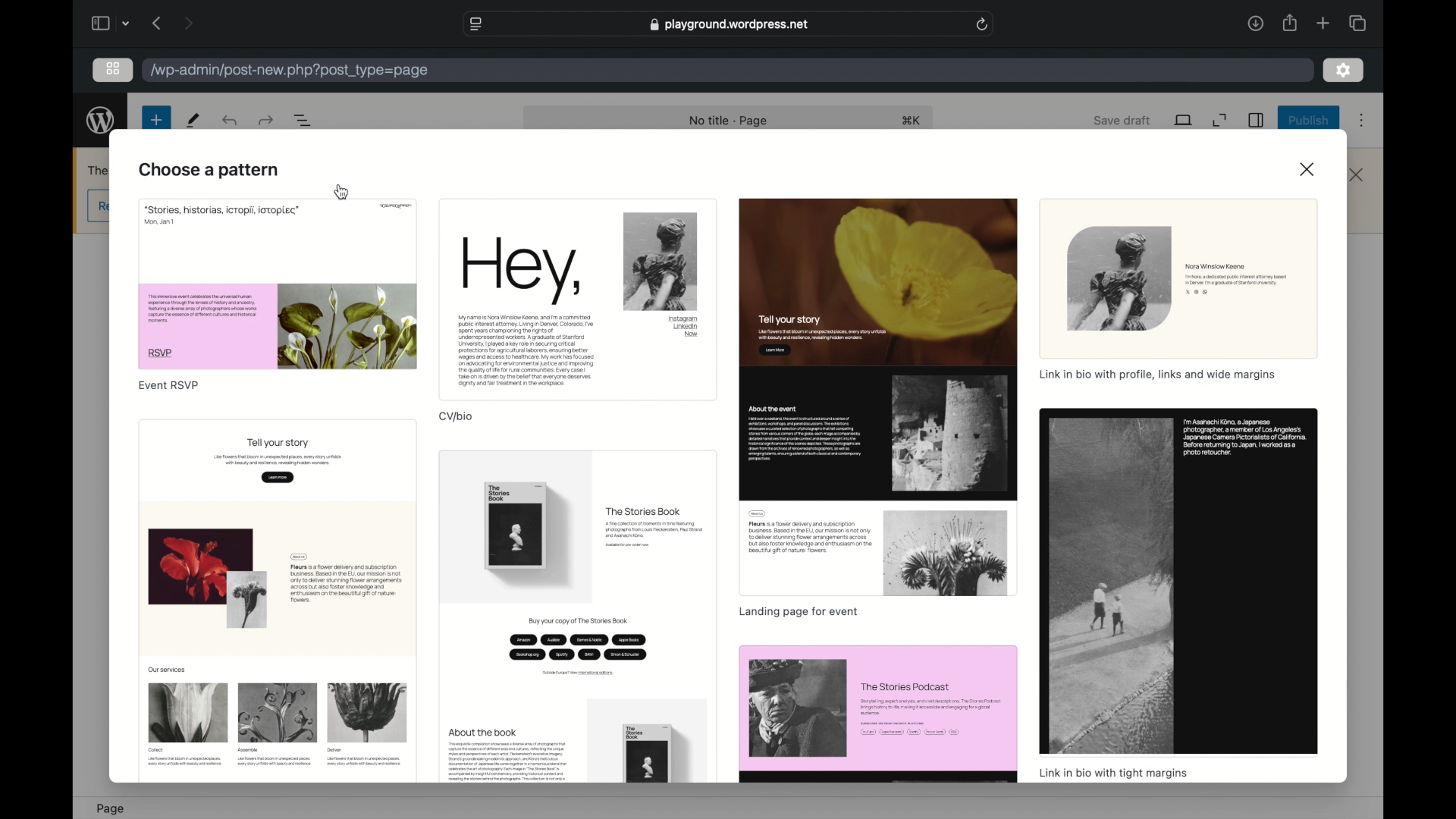 The width and height of the screenshot is (1456, 819). What do you see at coordinates (342, 192) in the screenshot?
I see `cursor` at bounding box center [342, 192].